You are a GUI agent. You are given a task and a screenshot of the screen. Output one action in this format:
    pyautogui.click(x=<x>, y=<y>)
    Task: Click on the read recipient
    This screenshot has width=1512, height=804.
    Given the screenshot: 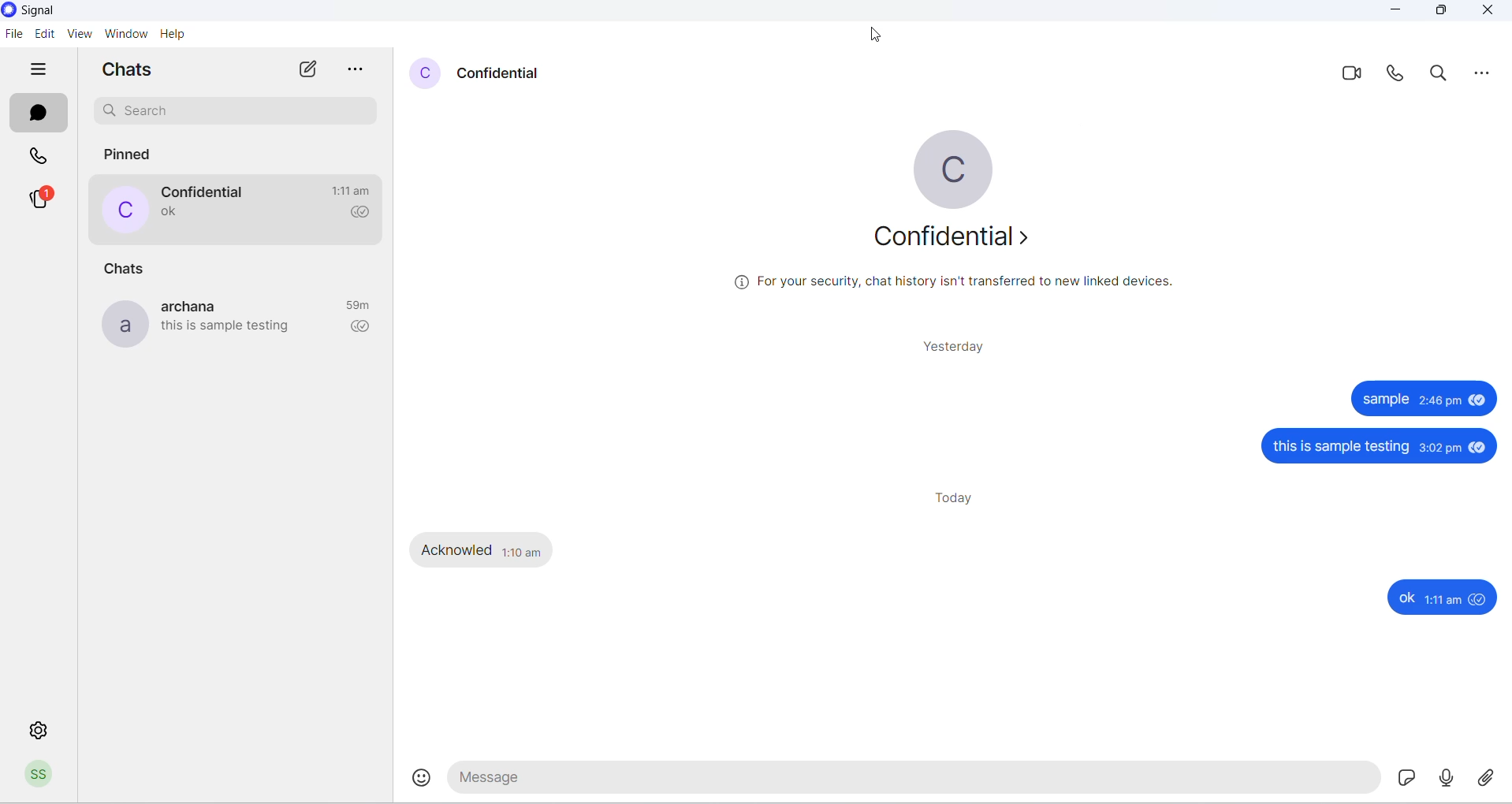 What is the action you would take?
    pyautogui.click(x=365, y=214)
    